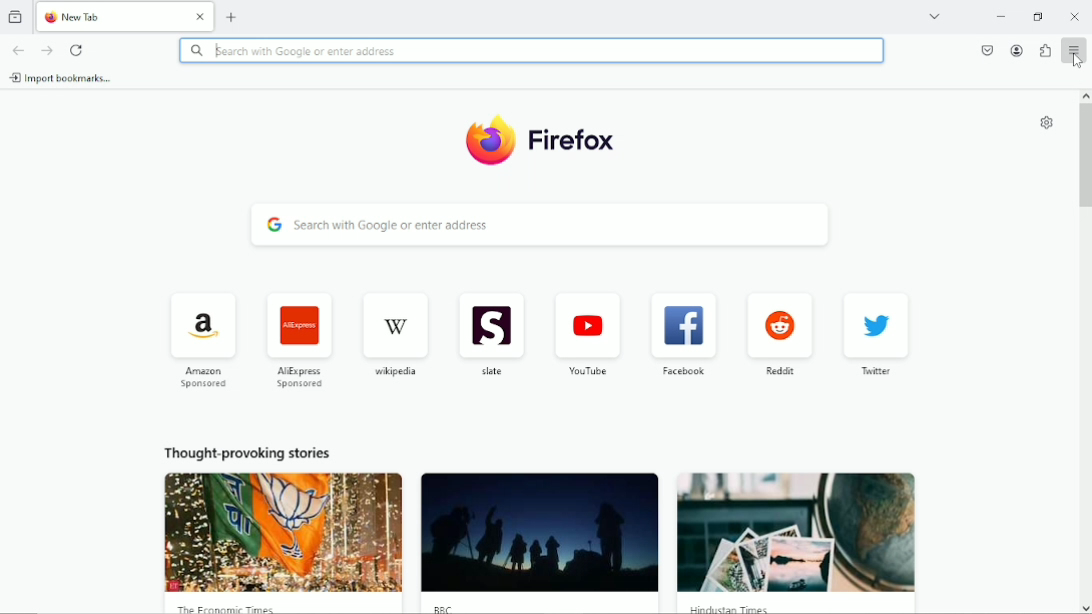 The image size is (1092, 614). I want to click on close, so click(204, 15).